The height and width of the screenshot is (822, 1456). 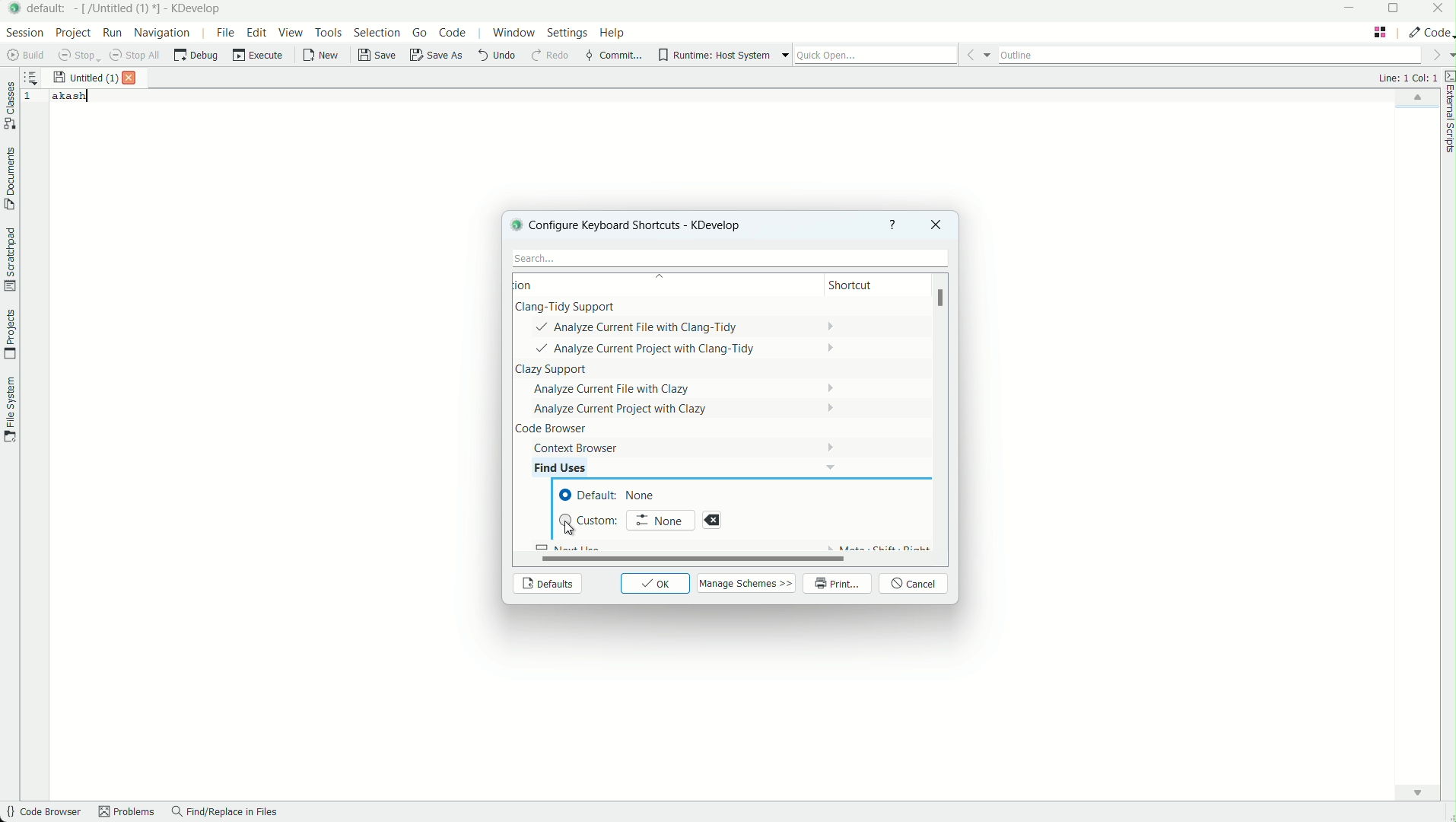 What do you see at coordinates (838, 585) in the screenshot?
I see `print` at bounding box center [838, 585].